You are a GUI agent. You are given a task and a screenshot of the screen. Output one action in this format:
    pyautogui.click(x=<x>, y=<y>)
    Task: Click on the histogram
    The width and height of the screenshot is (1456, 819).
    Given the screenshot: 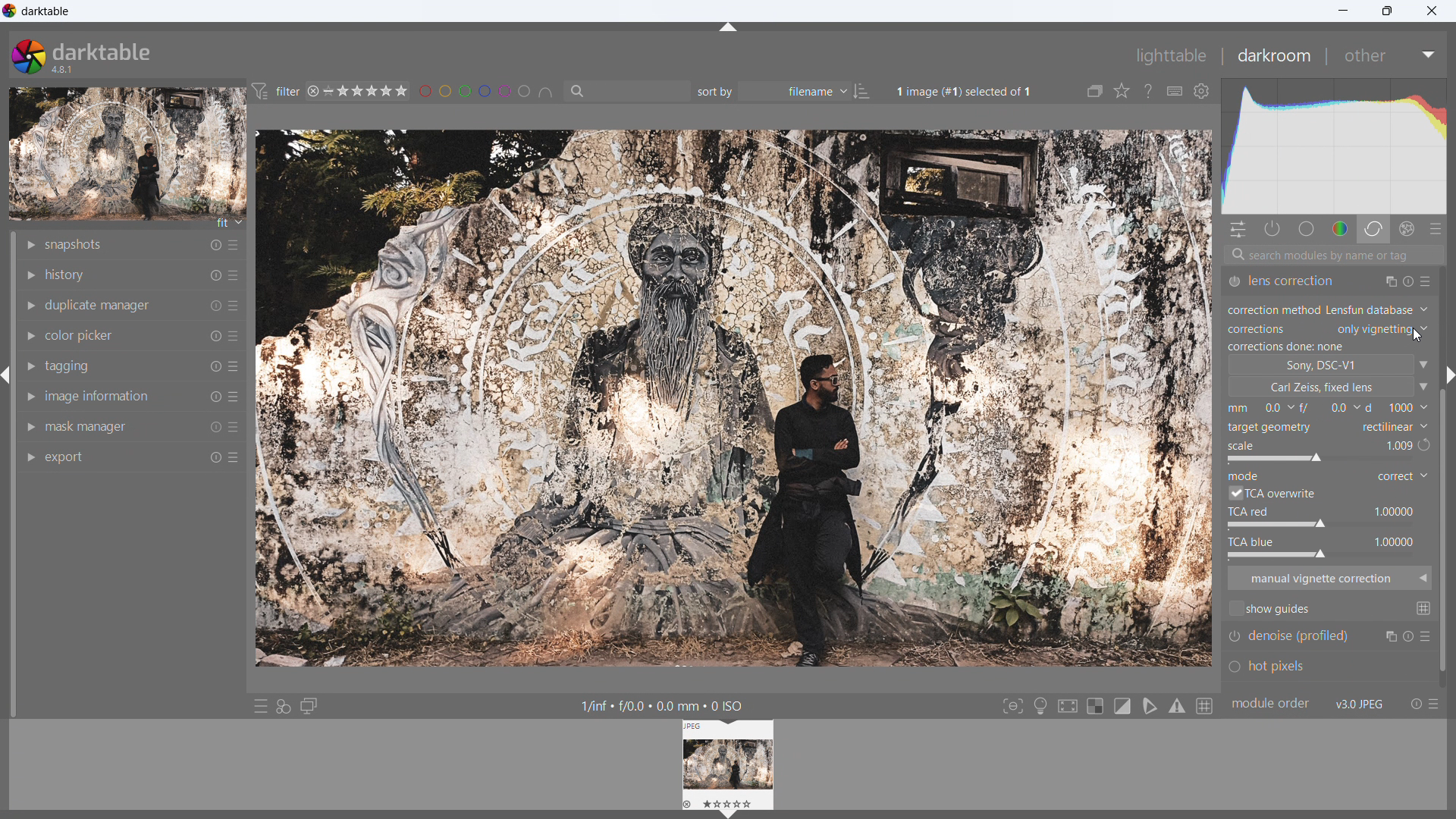 What is the action you would take?
    pyautogui.click(x=1335, y=146)
    